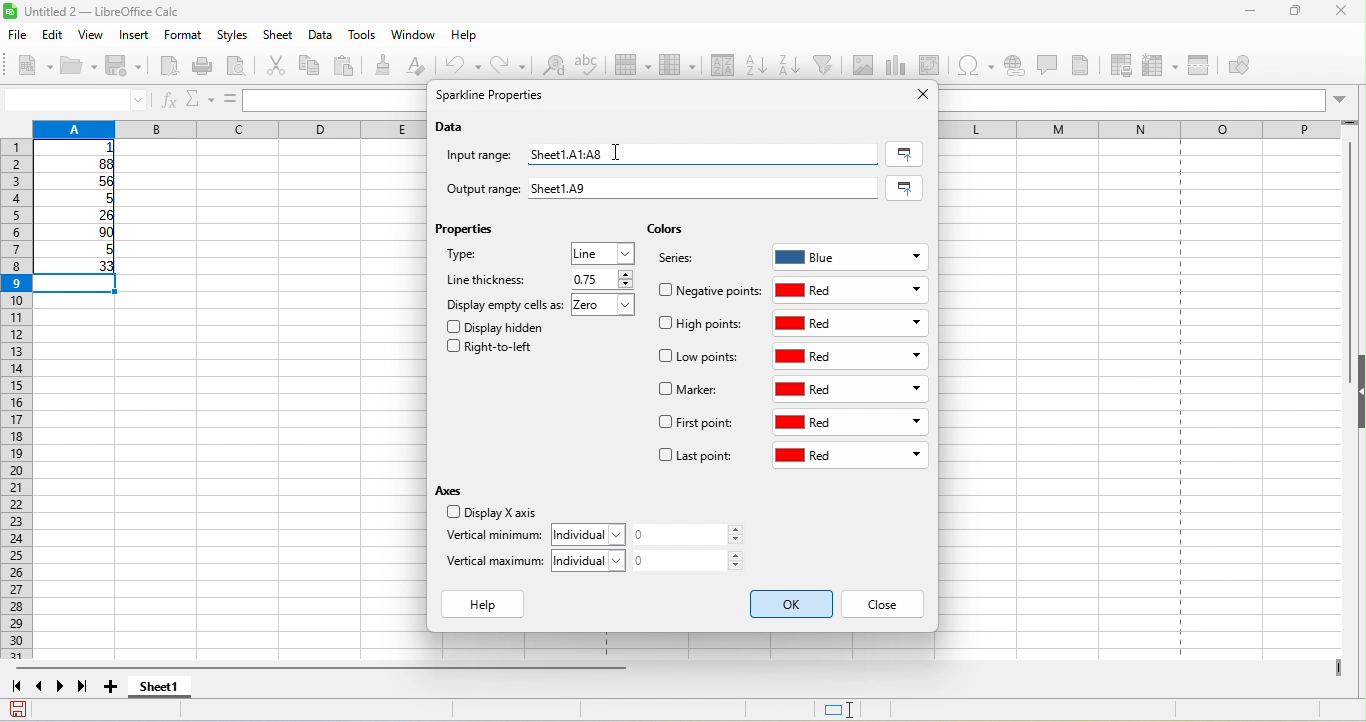 Image resolution: width=1366 pixels, height=722 pixels. I want to click on scroll to next sheet, so click(65, 689).